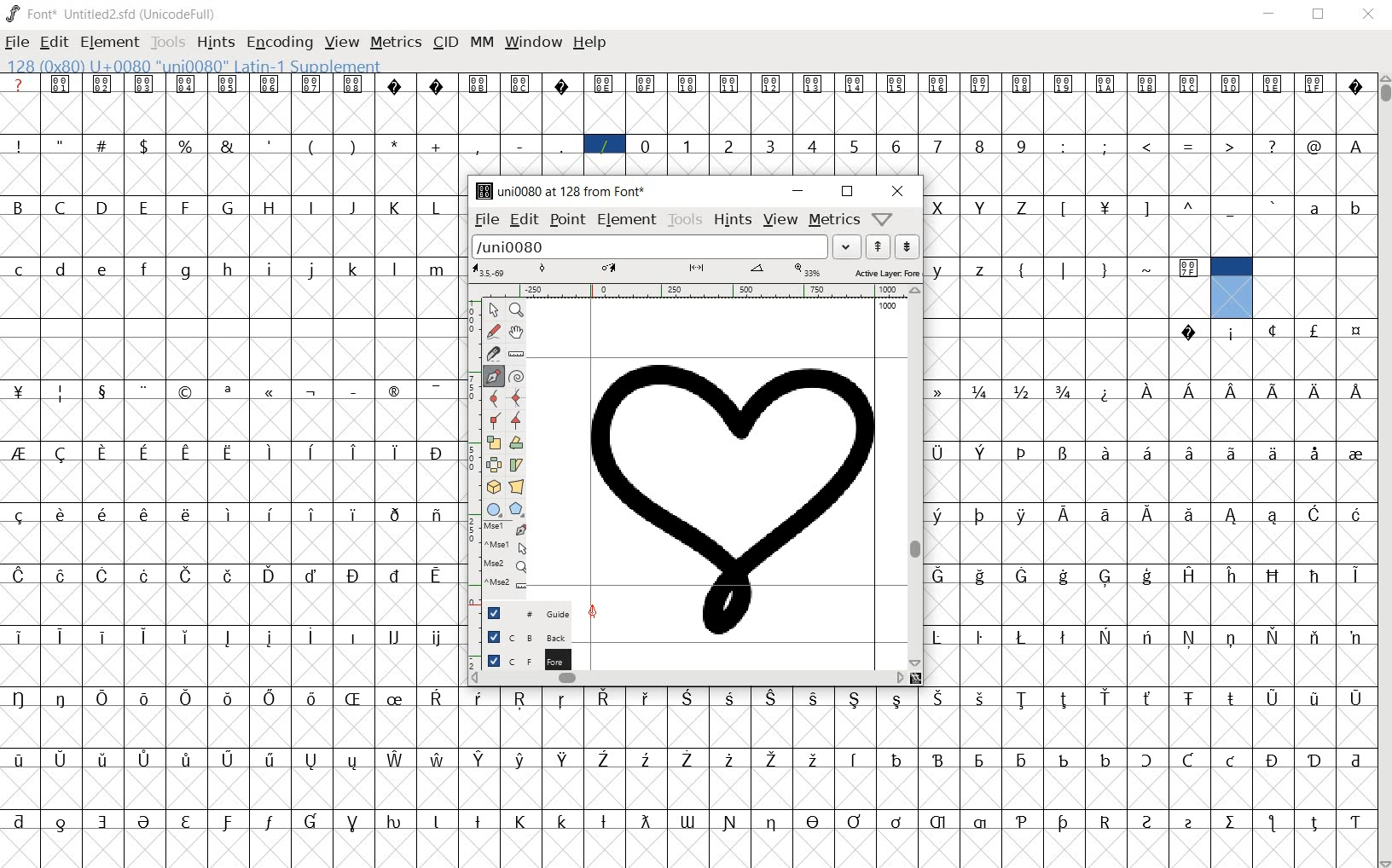 Image resolution: width=1392 pixels, height=868 pixels. Describe the element at coordinates (352, 698) in the screenshot. I see `glyph` at that location.